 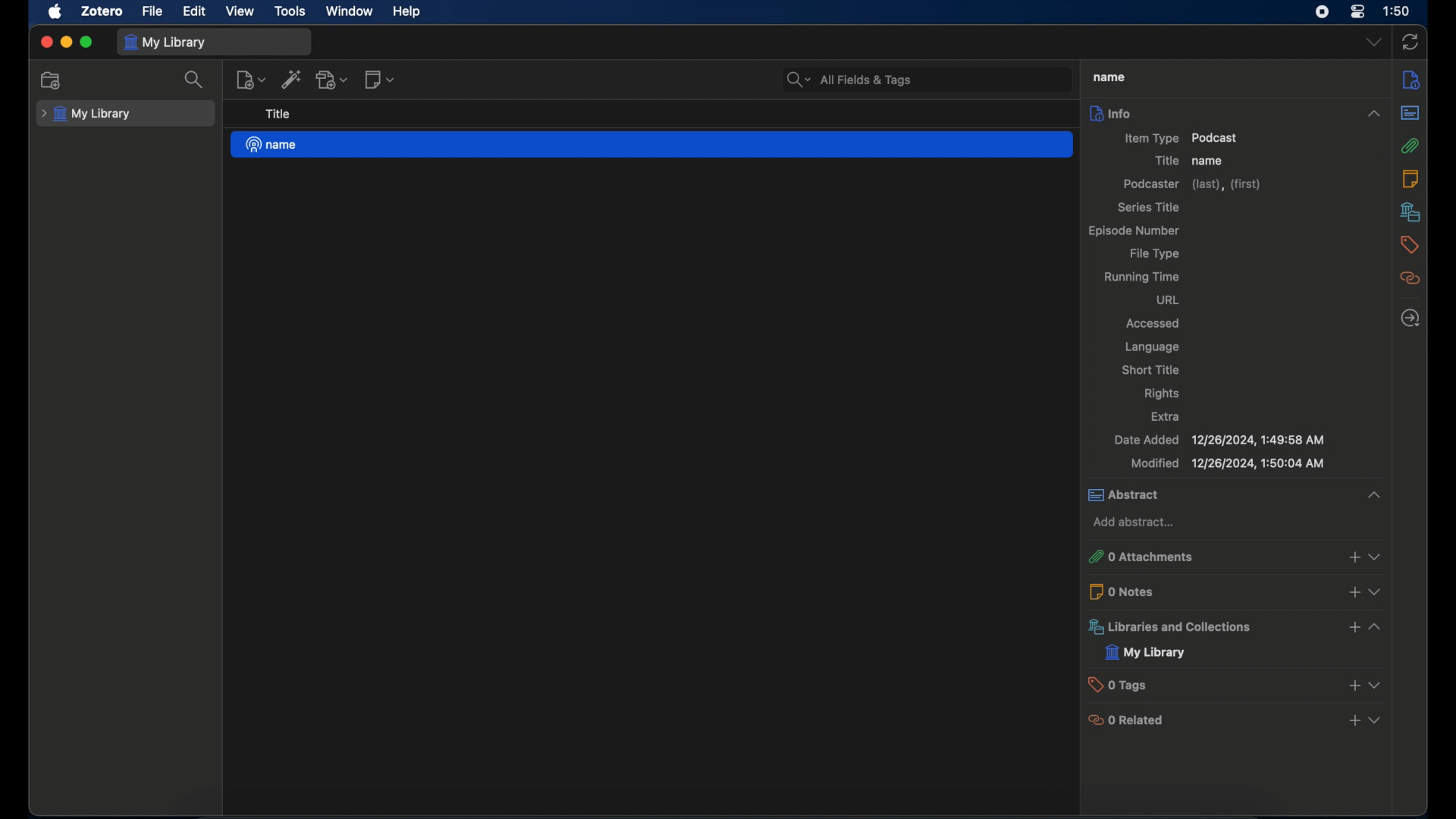 I want to click on title, so click(x=1109, y=77).